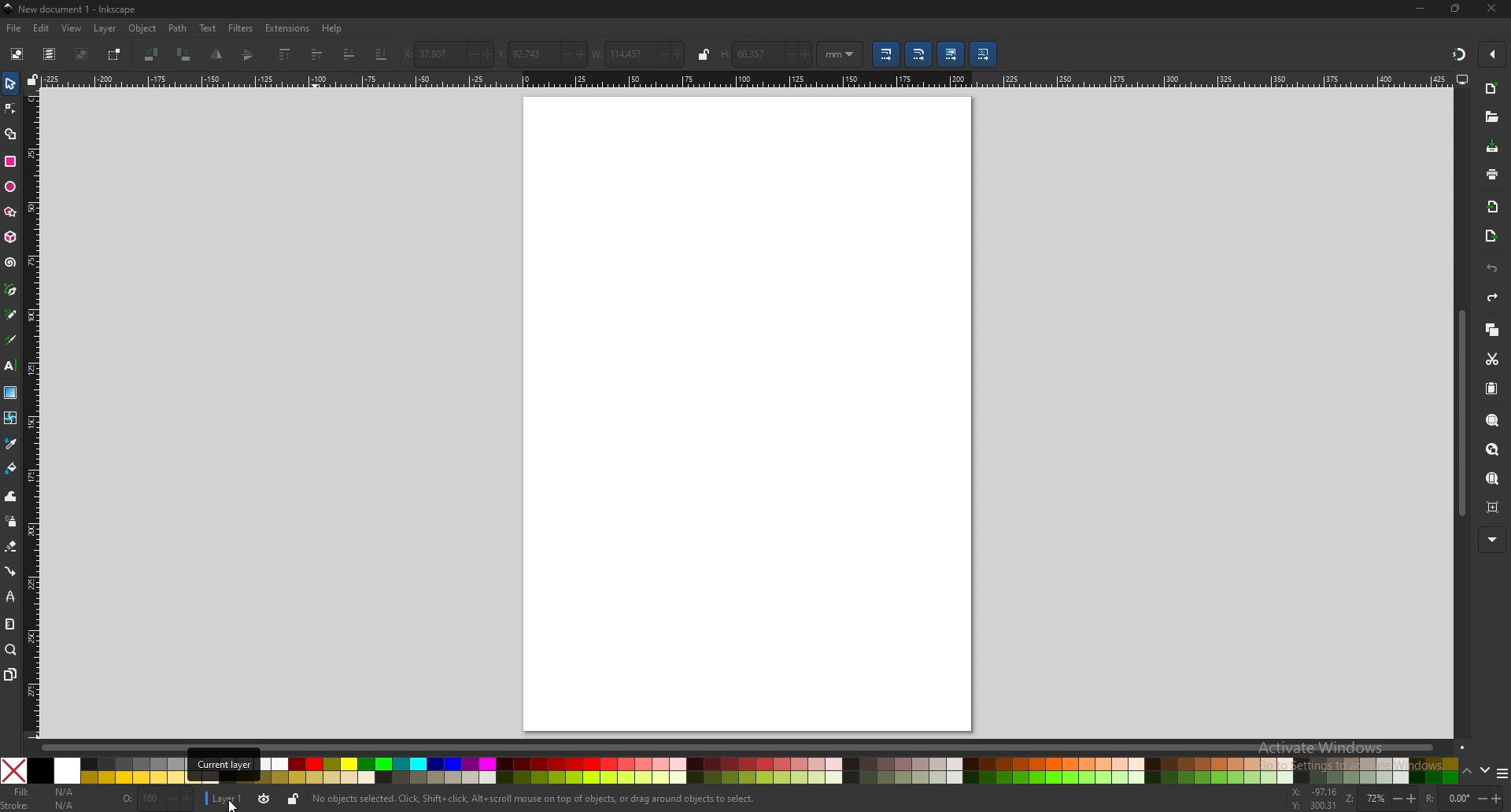  Describe the element at coordinates (218, 54) in the screenshot. I see `flip vertically` at that location.